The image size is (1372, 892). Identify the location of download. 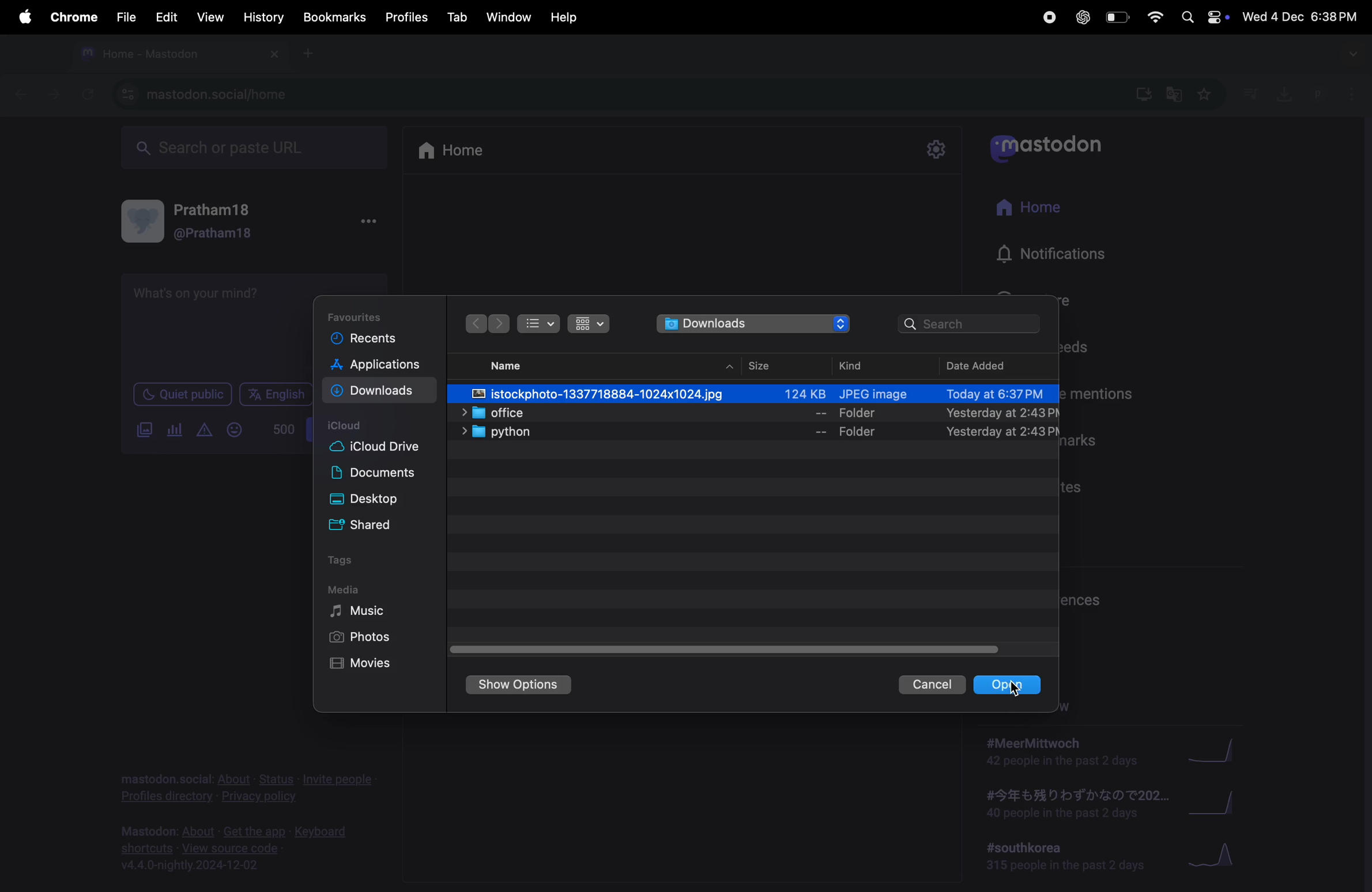
(1280, 92).